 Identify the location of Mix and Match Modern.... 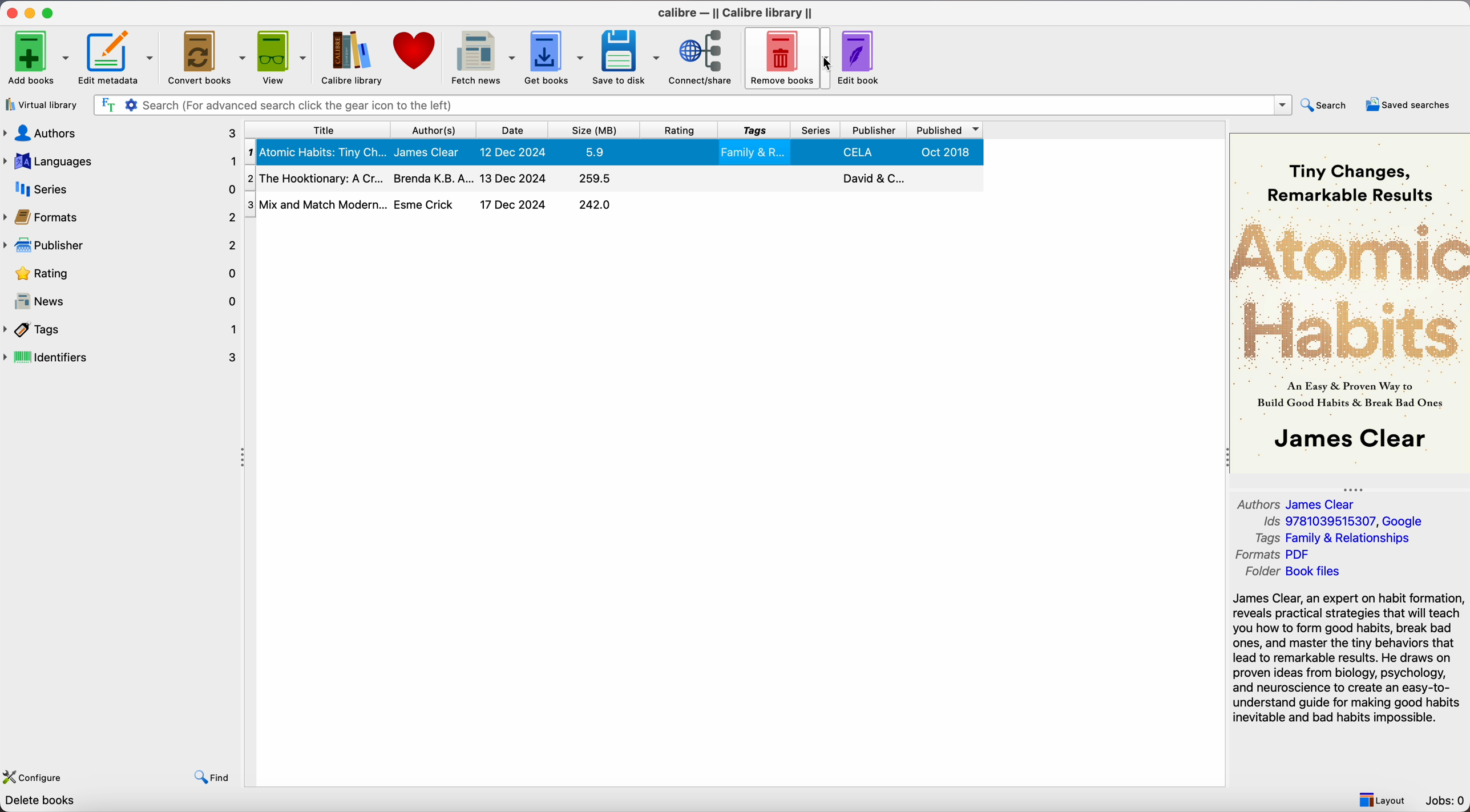
(316, 201).